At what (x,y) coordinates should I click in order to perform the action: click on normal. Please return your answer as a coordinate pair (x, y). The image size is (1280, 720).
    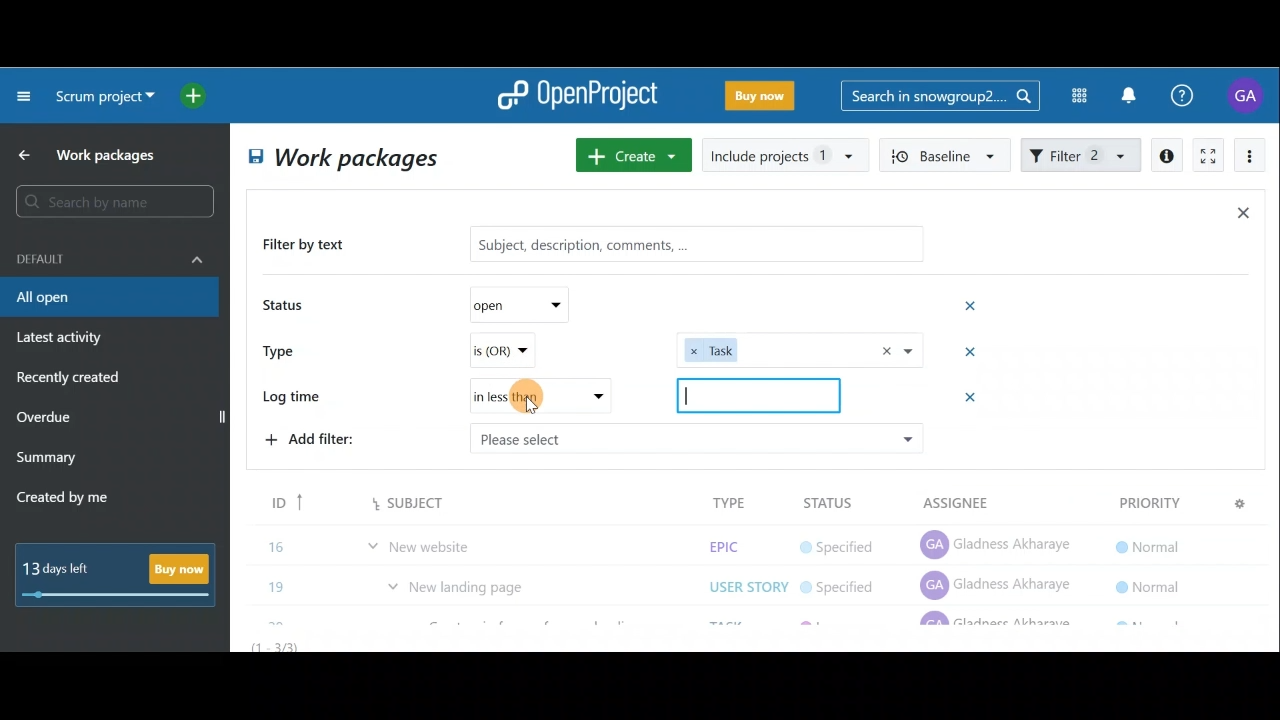
    Looking at the image, I should click on (1146, 540).